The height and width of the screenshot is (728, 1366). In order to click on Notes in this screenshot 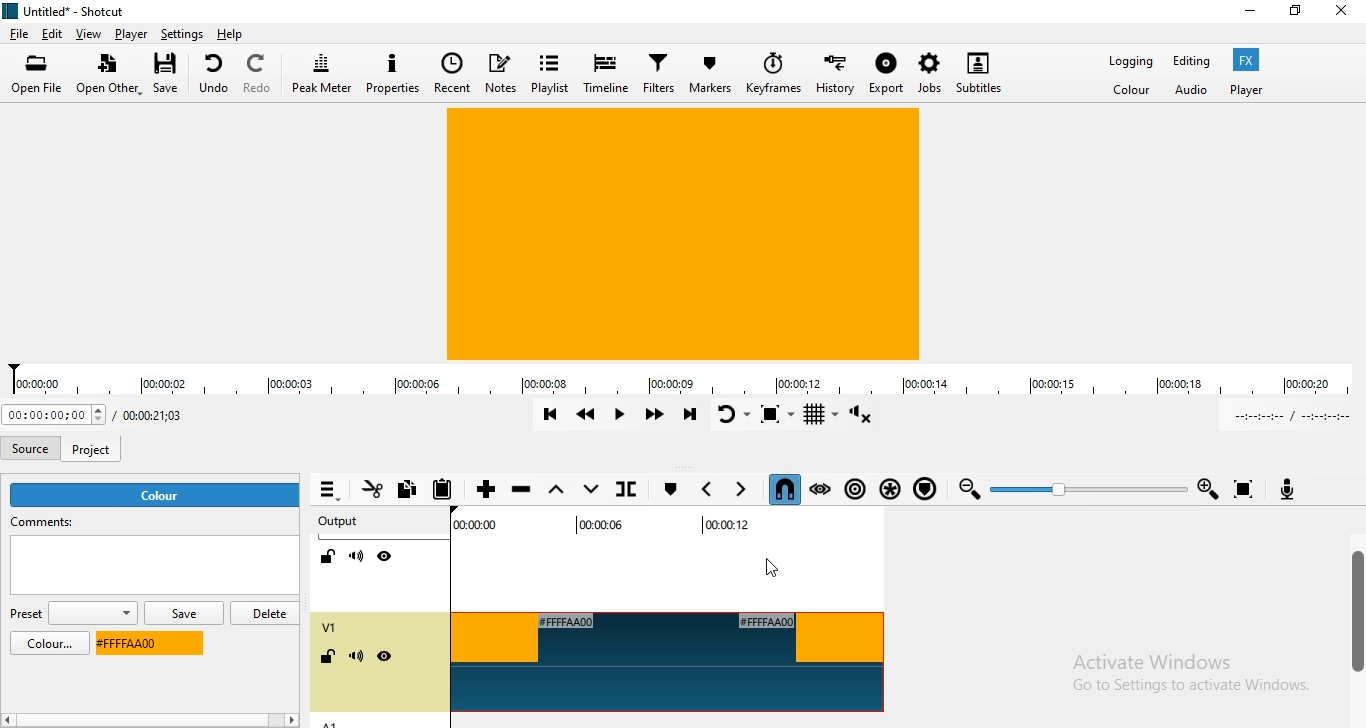, I will do `click(500, 72)`.